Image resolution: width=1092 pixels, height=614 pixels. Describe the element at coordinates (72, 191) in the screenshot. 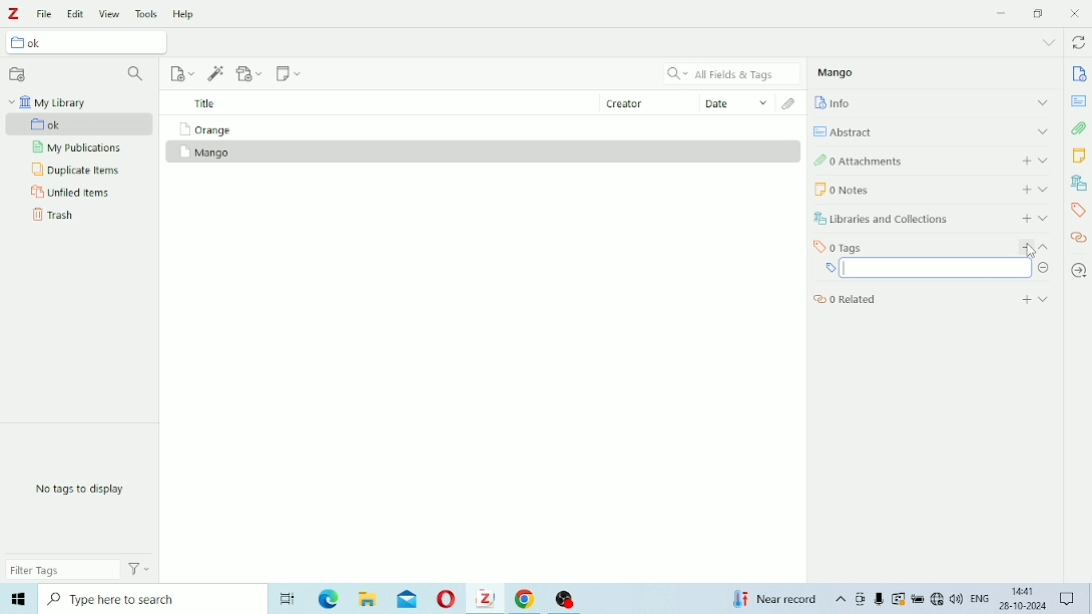

I see `Unfiled Items` at that location.